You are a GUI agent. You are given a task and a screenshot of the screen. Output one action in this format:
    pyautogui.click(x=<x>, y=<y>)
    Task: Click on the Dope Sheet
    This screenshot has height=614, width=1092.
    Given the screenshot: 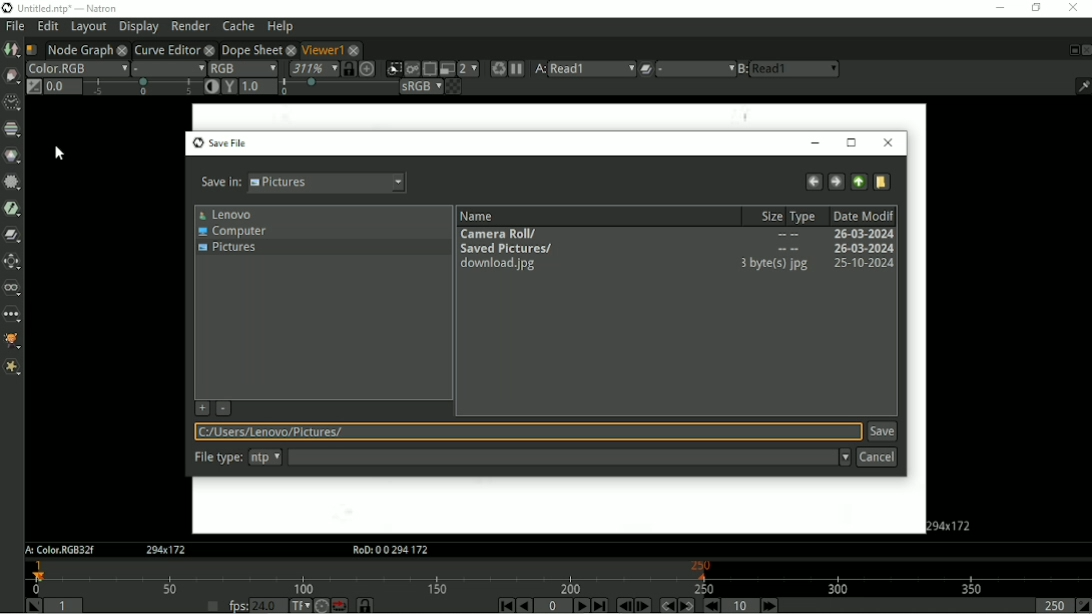 What is the action you would take?
    pyautogui.click(x=251, y=48)
    